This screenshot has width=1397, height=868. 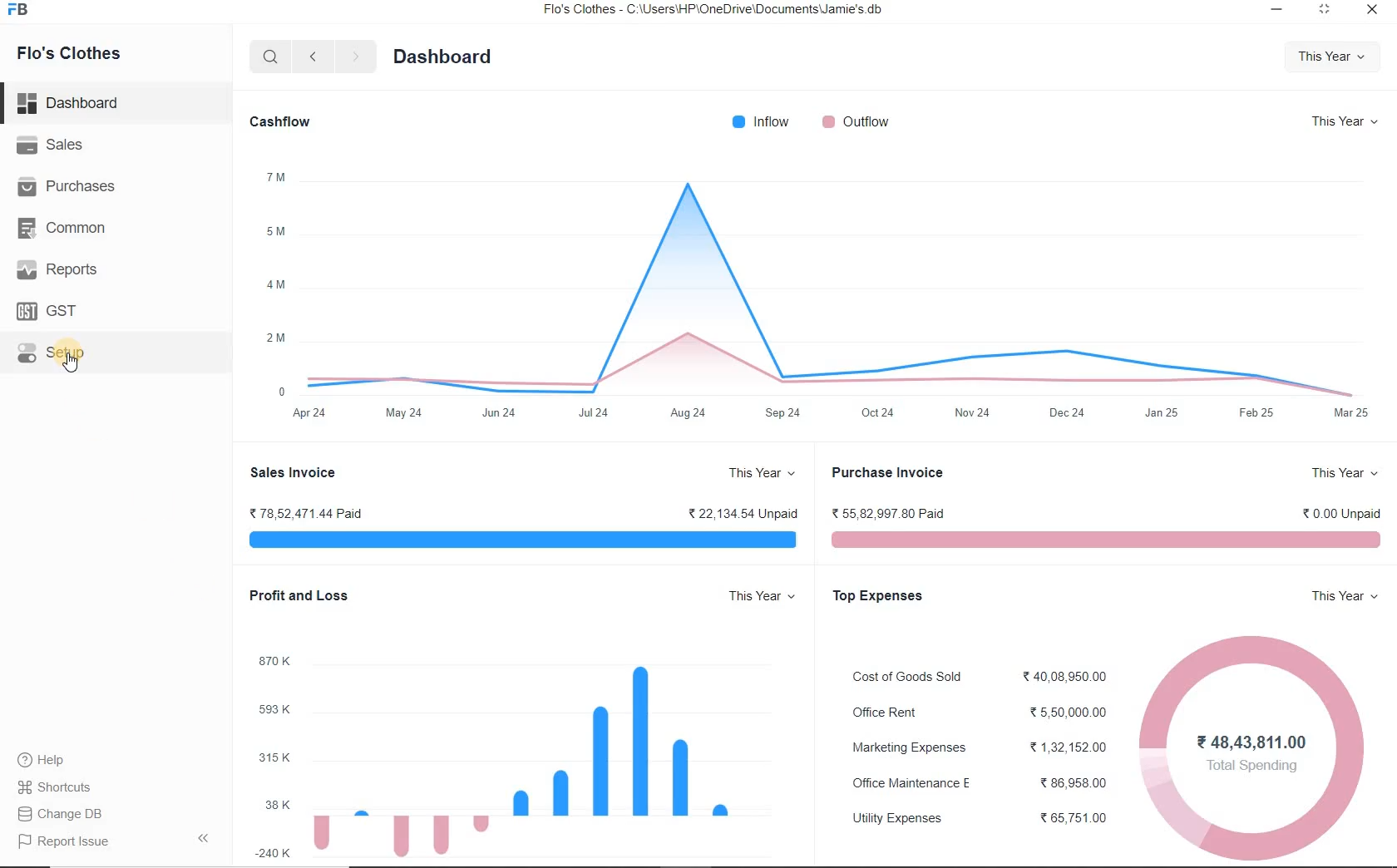 I want to click on May 24, so click(x=402, y=410).